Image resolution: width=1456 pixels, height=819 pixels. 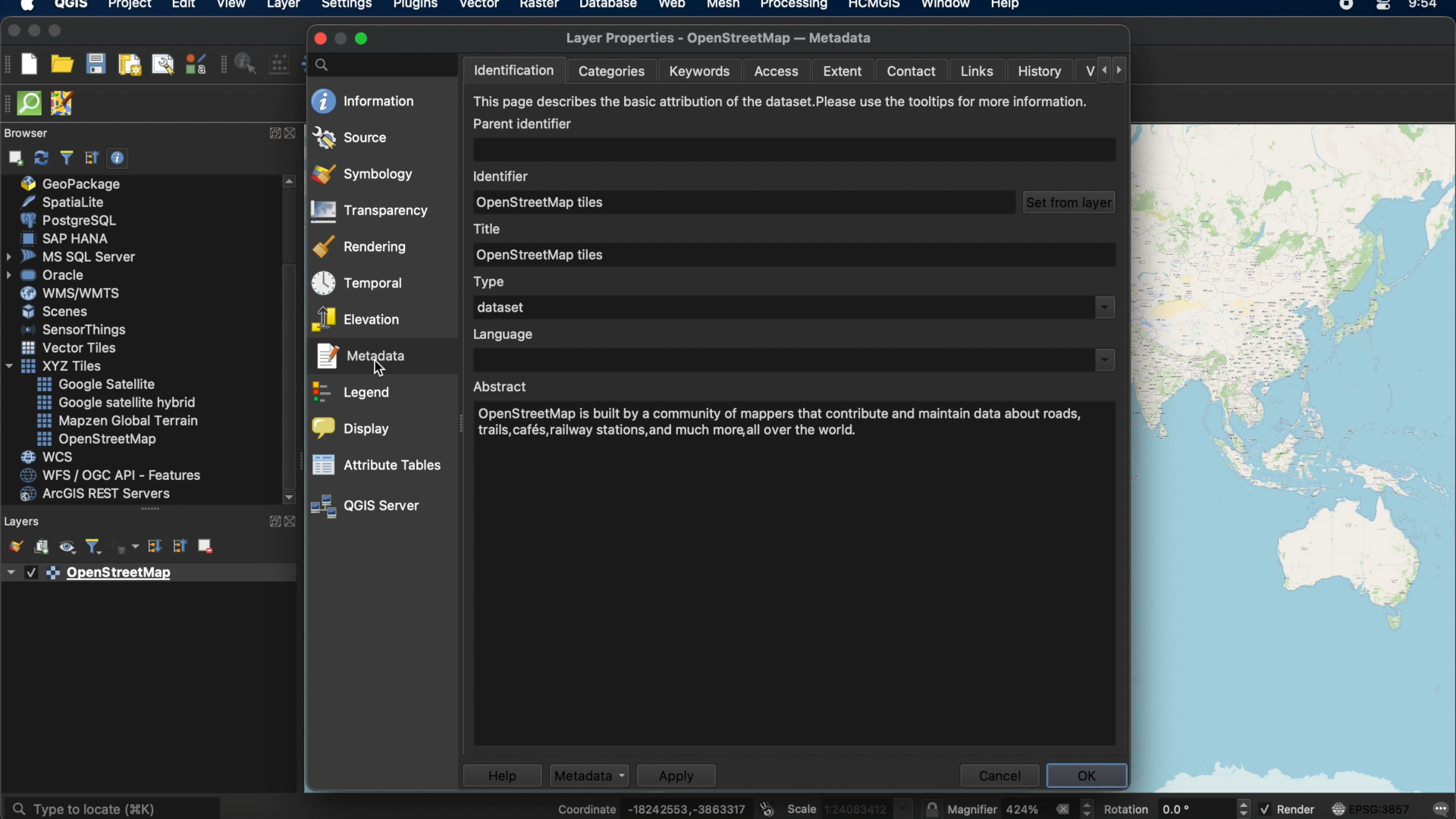 I want to click on identify features, so click(x=248, y=64).